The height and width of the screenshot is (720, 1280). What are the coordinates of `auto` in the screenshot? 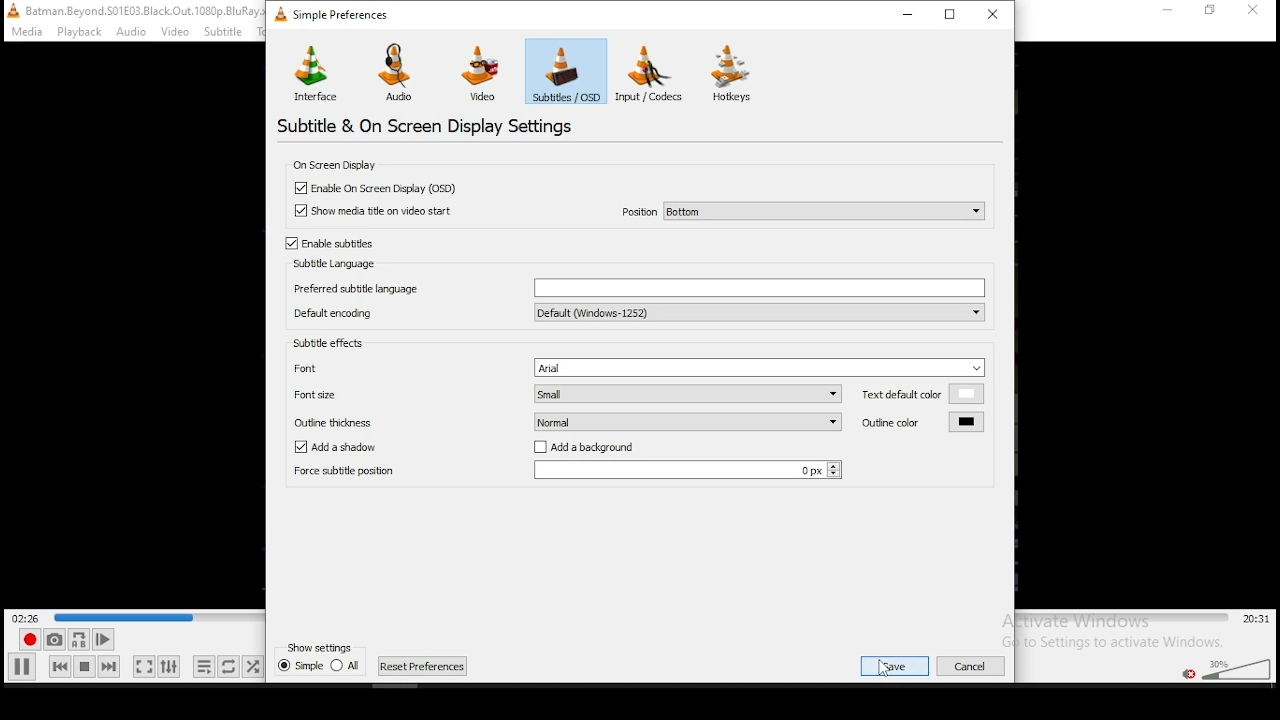 It's located at (688, 409).